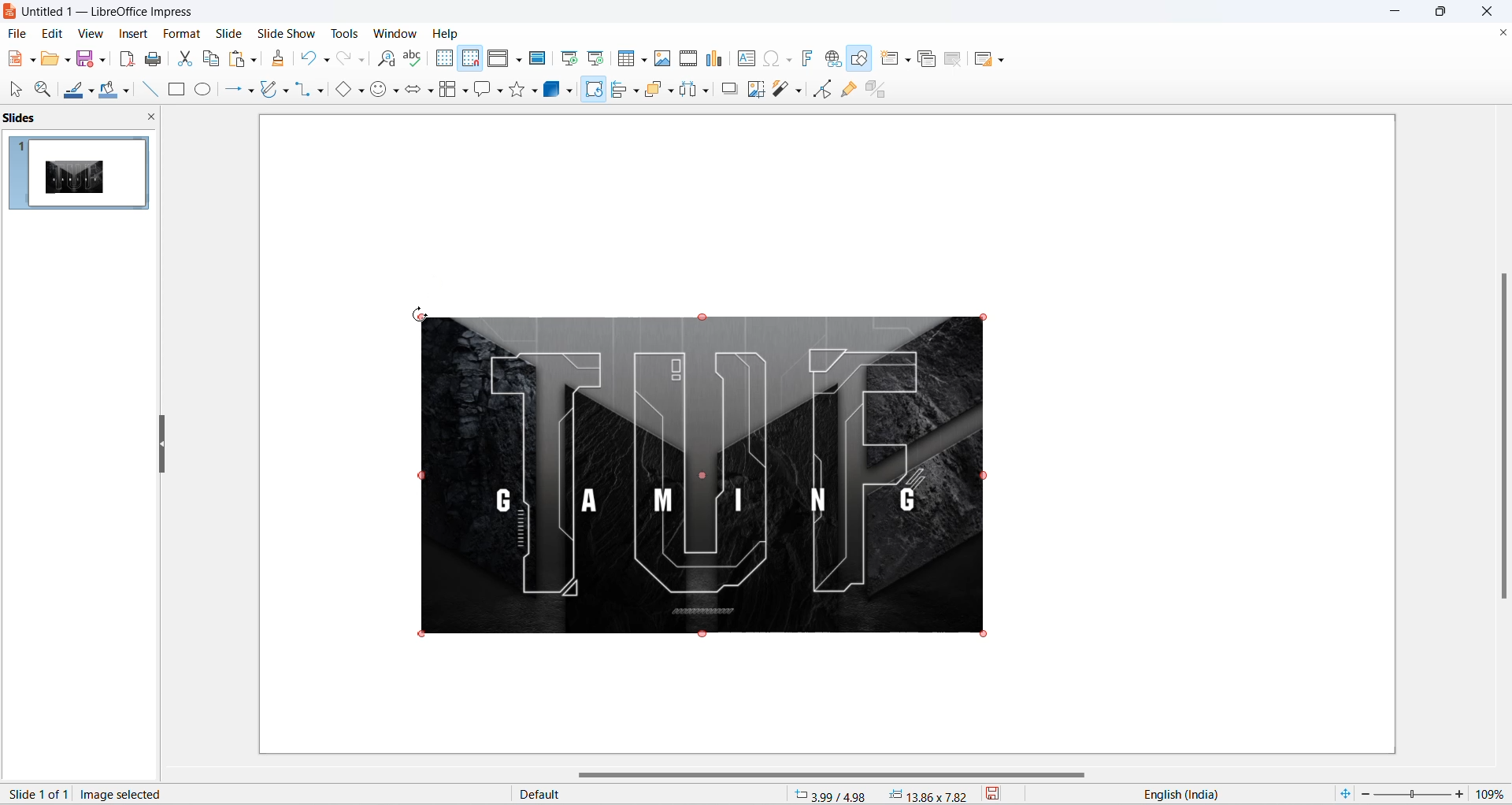 Image resolution: width=1512 pixels, height=805 pixels. What do you see at coordinates (706, 637) in the screenshot?
I see `image selection markup` at bounding box center [706, 637].